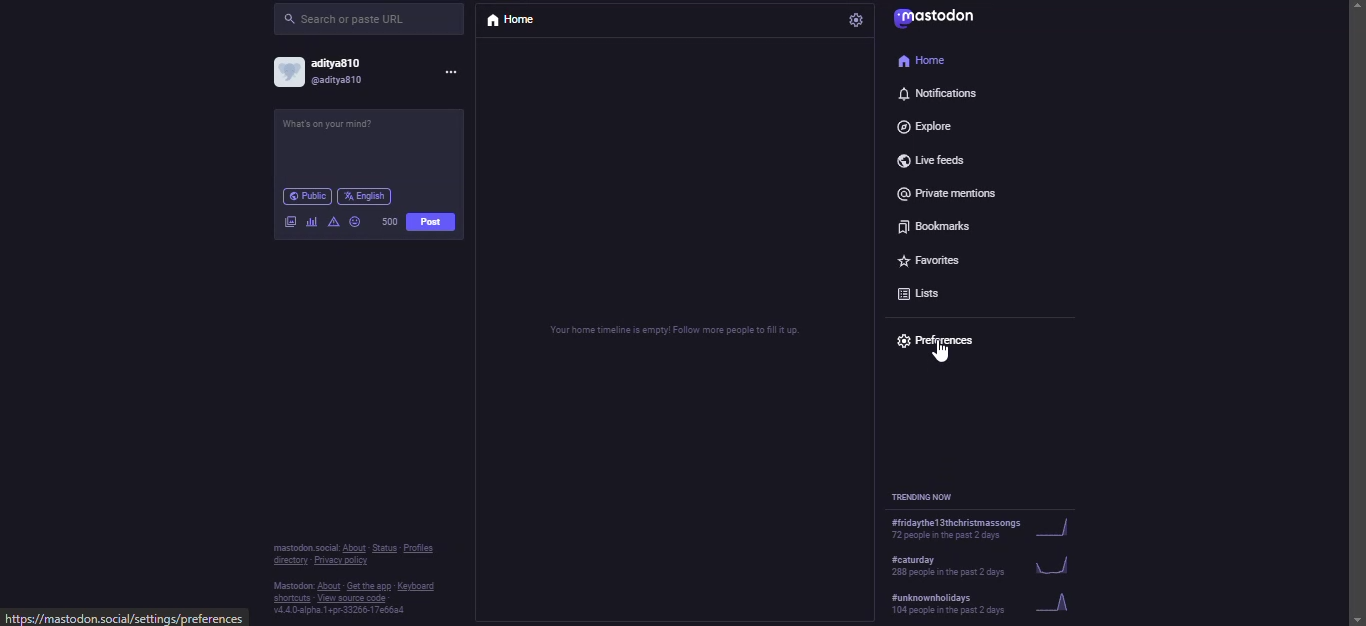  I want to click on live feeds, so click(929, 160).